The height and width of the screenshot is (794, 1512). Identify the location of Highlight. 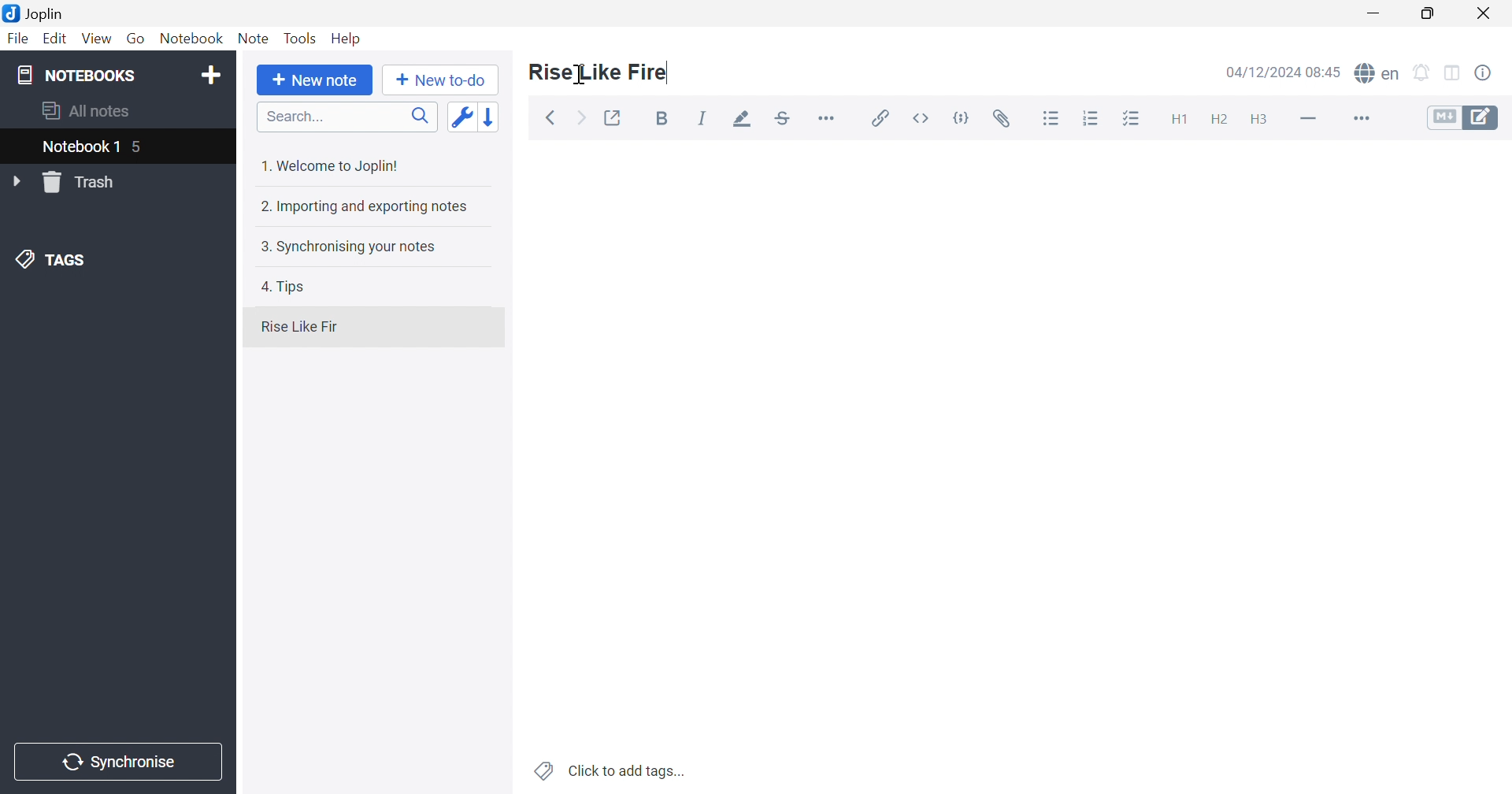
(739, 117).